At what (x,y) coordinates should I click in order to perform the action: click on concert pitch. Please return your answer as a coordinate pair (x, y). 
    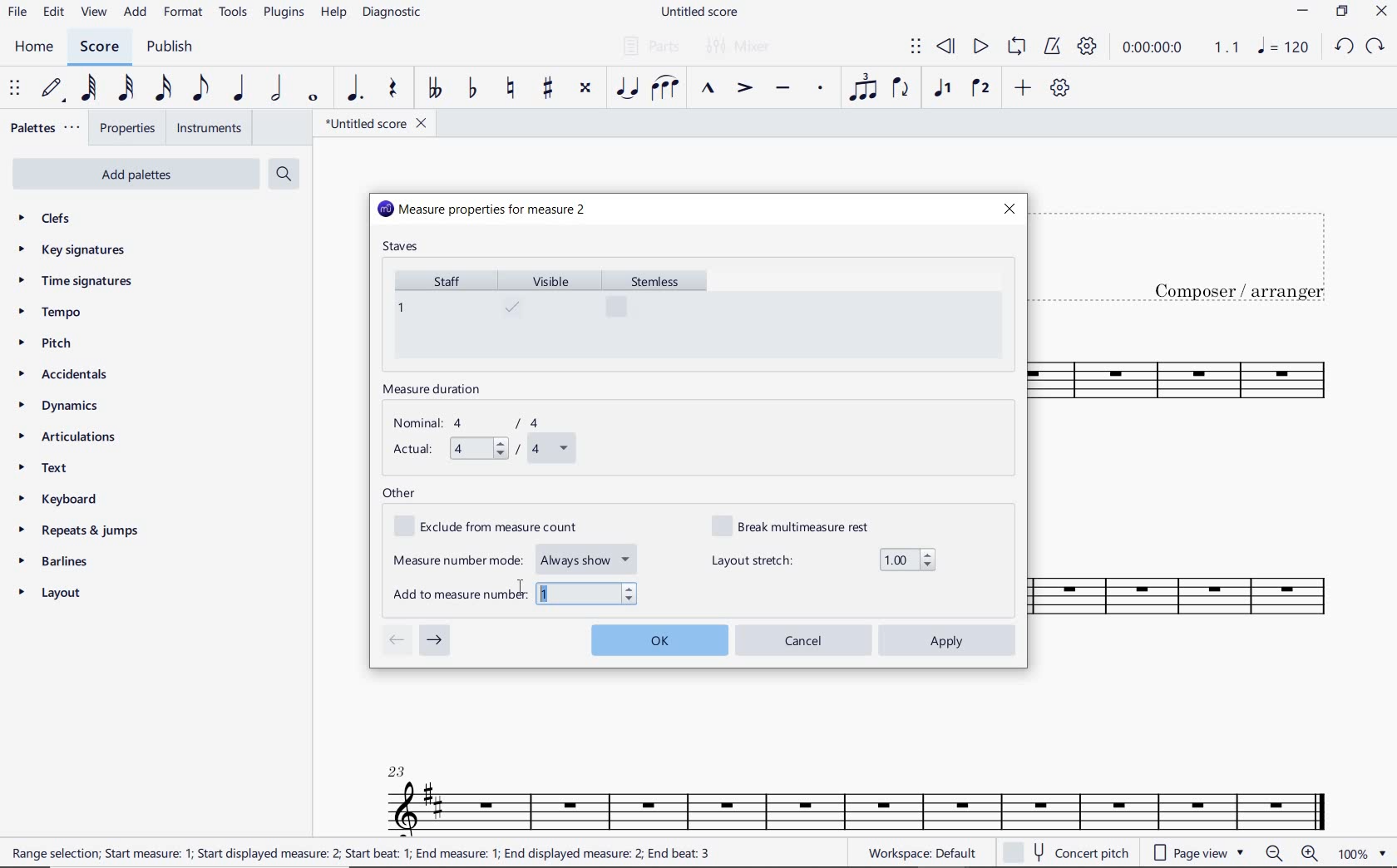
    Looking at the image, I should click on (1069, 853).